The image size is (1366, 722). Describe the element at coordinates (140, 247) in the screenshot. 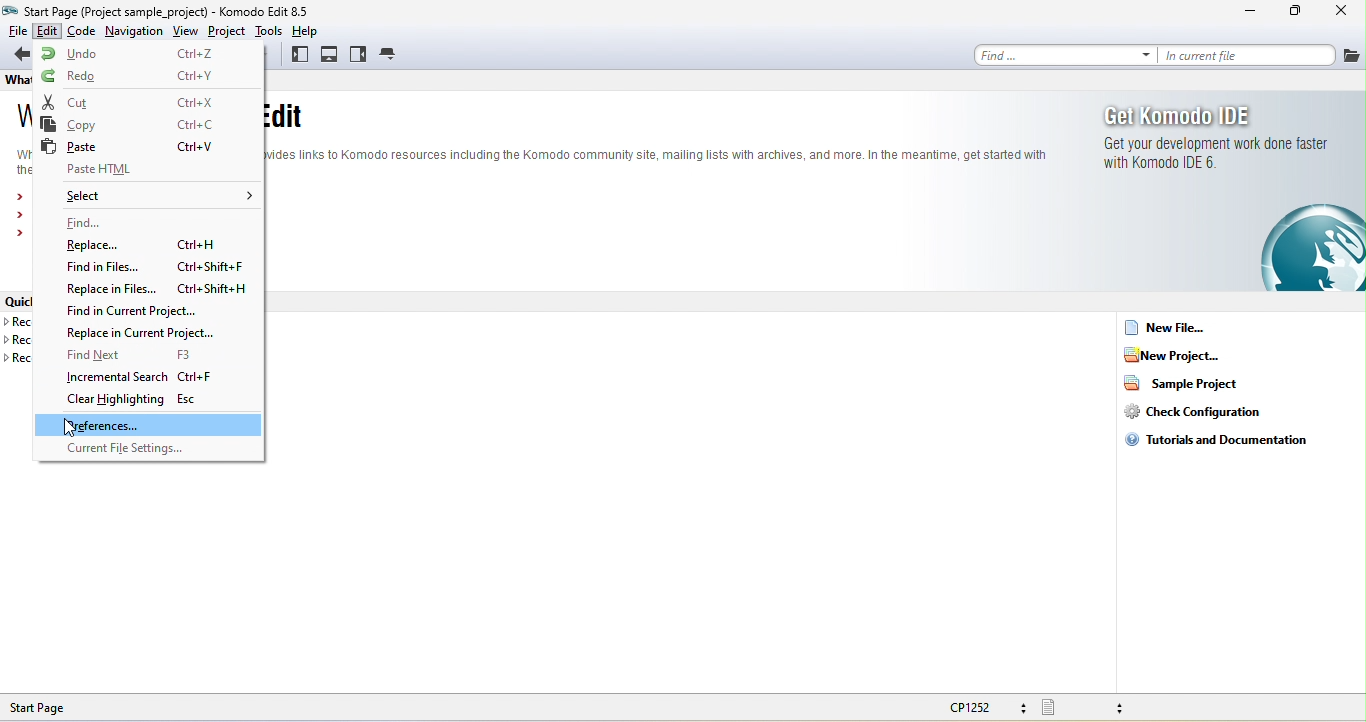

I see `replace` at that location.